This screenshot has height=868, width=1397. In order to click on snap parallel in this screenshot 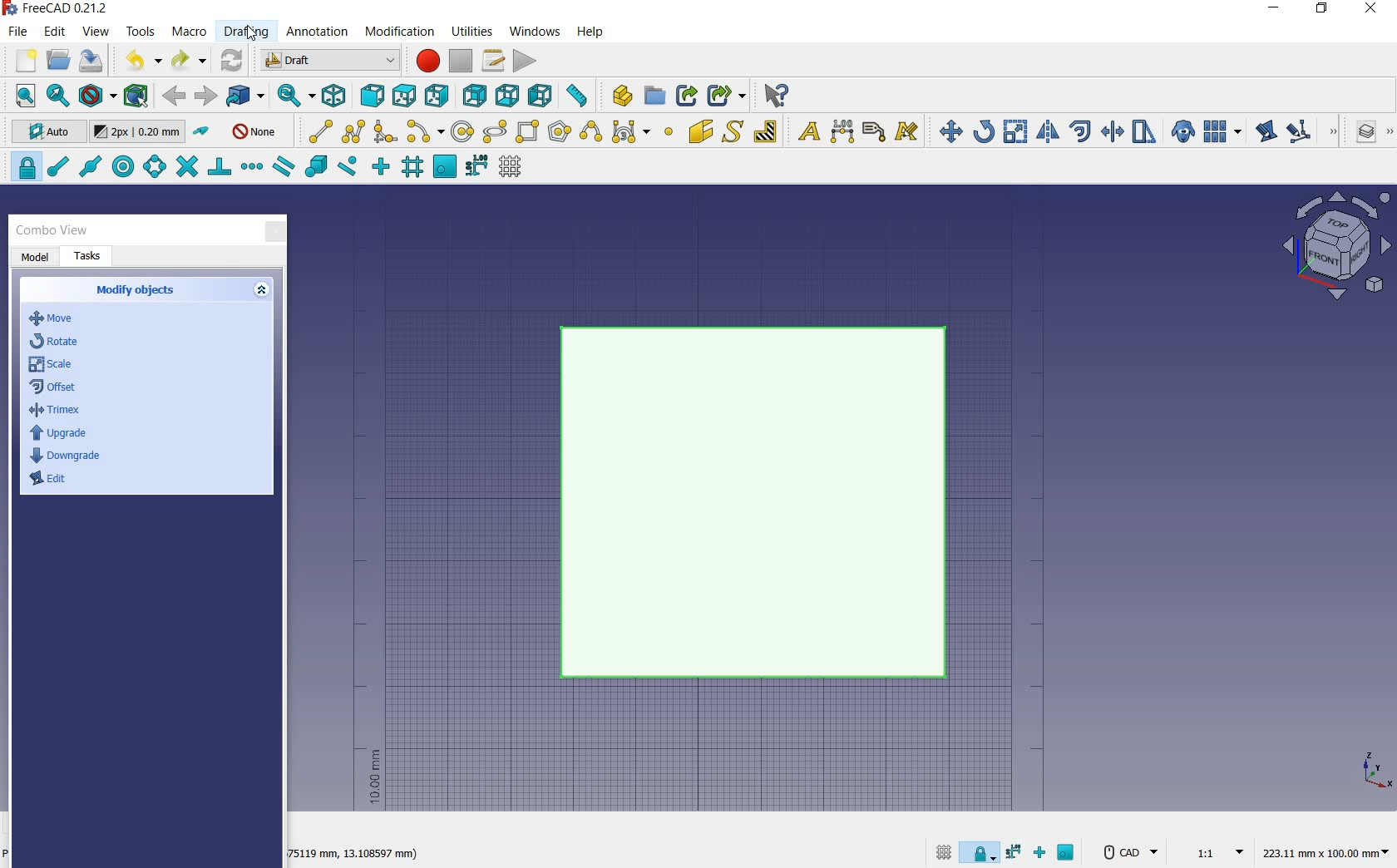, I will do `click(283, 167)`.